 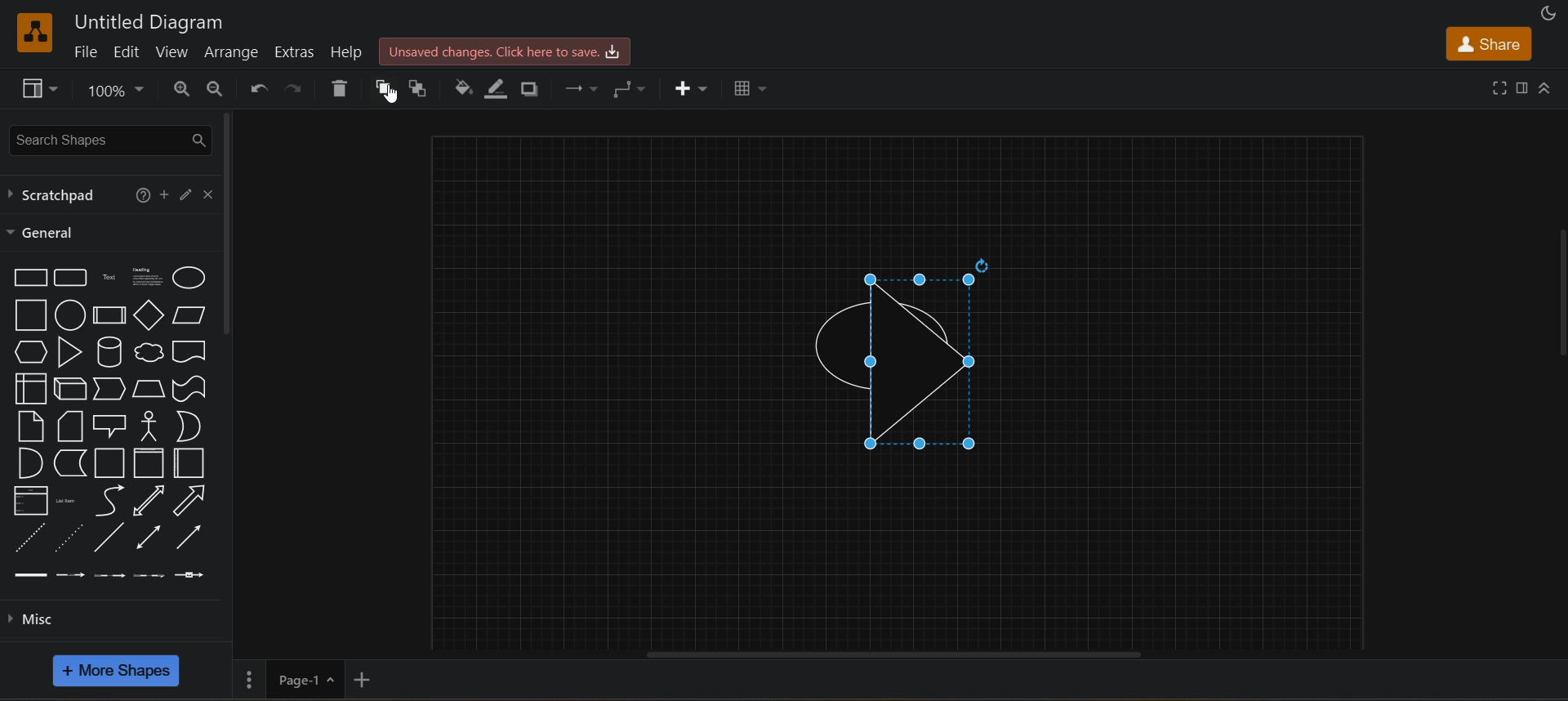 I want to click on container, so click(x=189, y=462).